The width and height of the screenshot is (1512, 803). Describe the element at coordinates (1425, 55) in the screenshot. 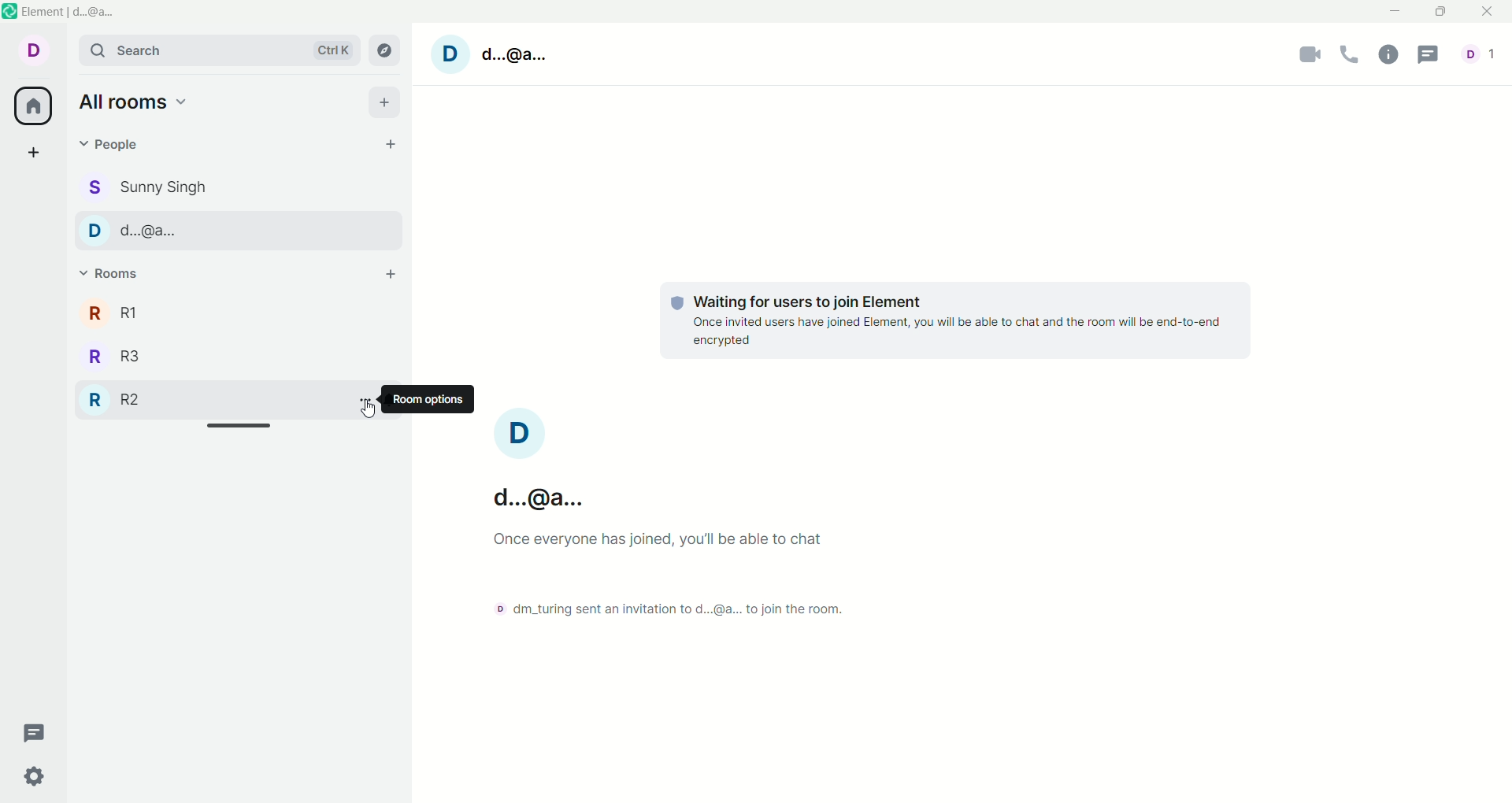

I see `threads` at that location.